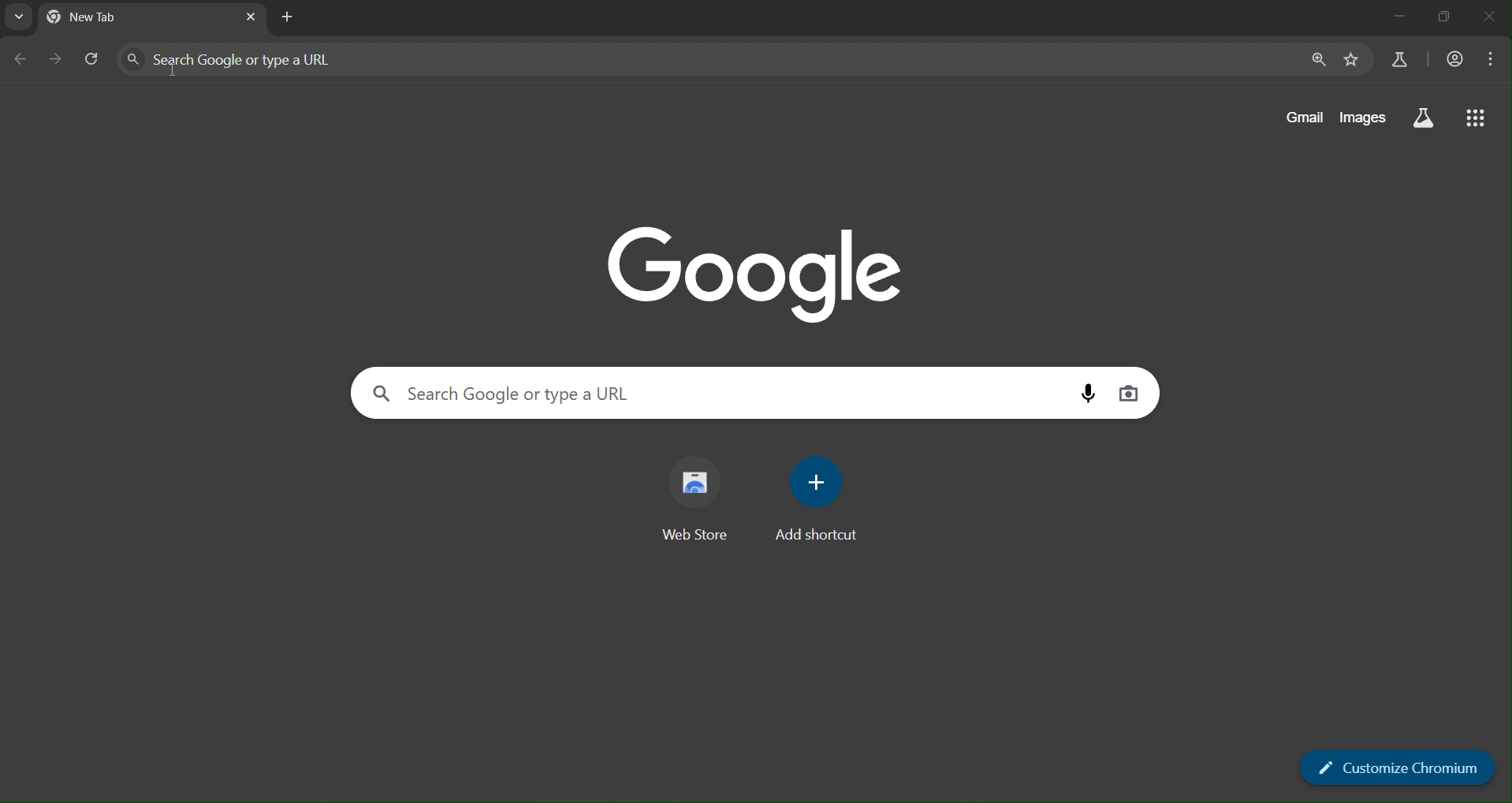 The image size is (1512, 803). Describe the element at coordinates (752, 269) in the screenshot. I see `google` at that location.